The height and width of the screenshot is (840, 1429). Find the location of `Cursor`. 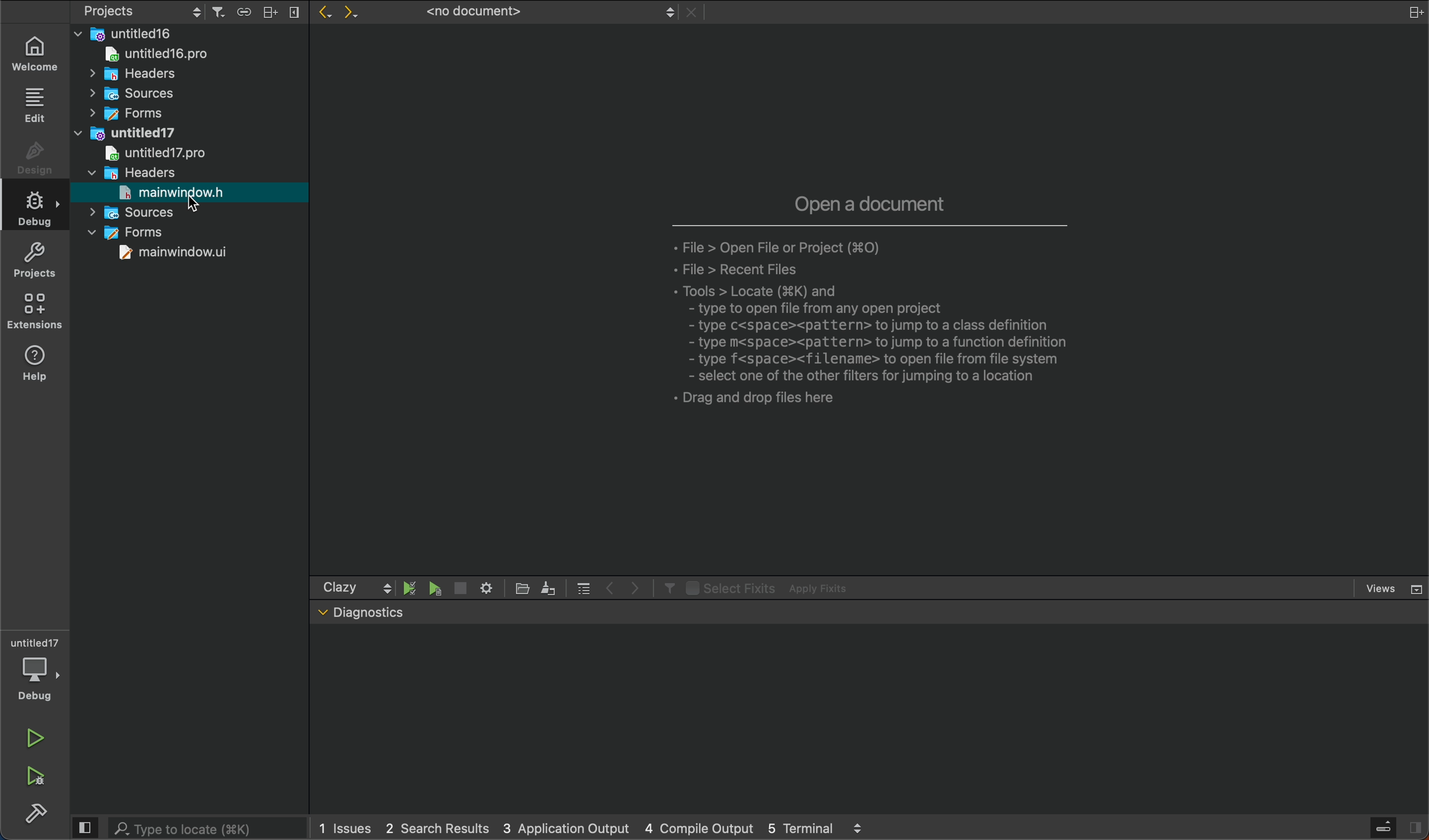

Cursor is located at coordinates (196, 205).